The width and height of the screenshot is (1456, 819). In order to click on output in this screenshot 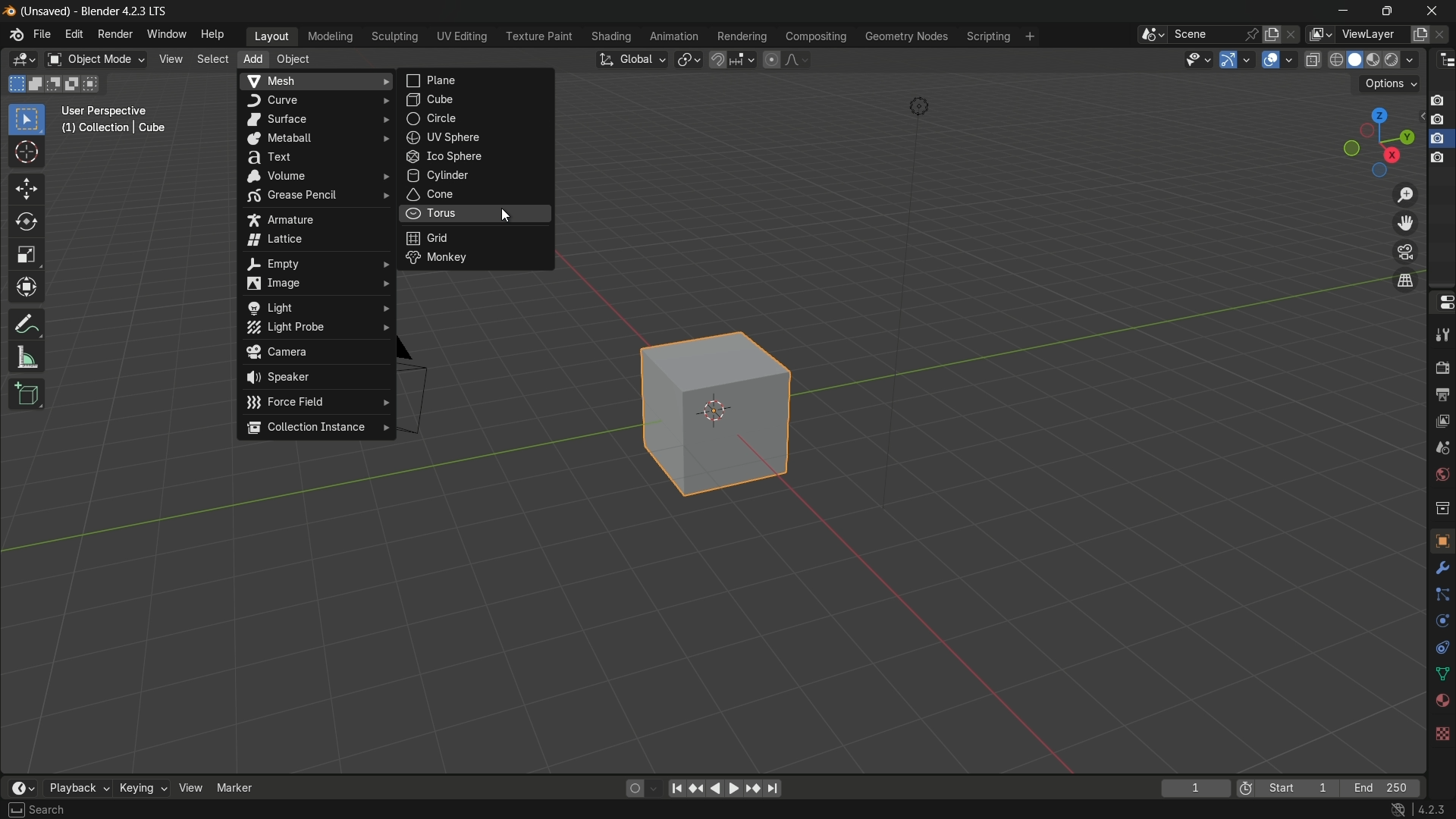, I will do `click(1440, 395)`.